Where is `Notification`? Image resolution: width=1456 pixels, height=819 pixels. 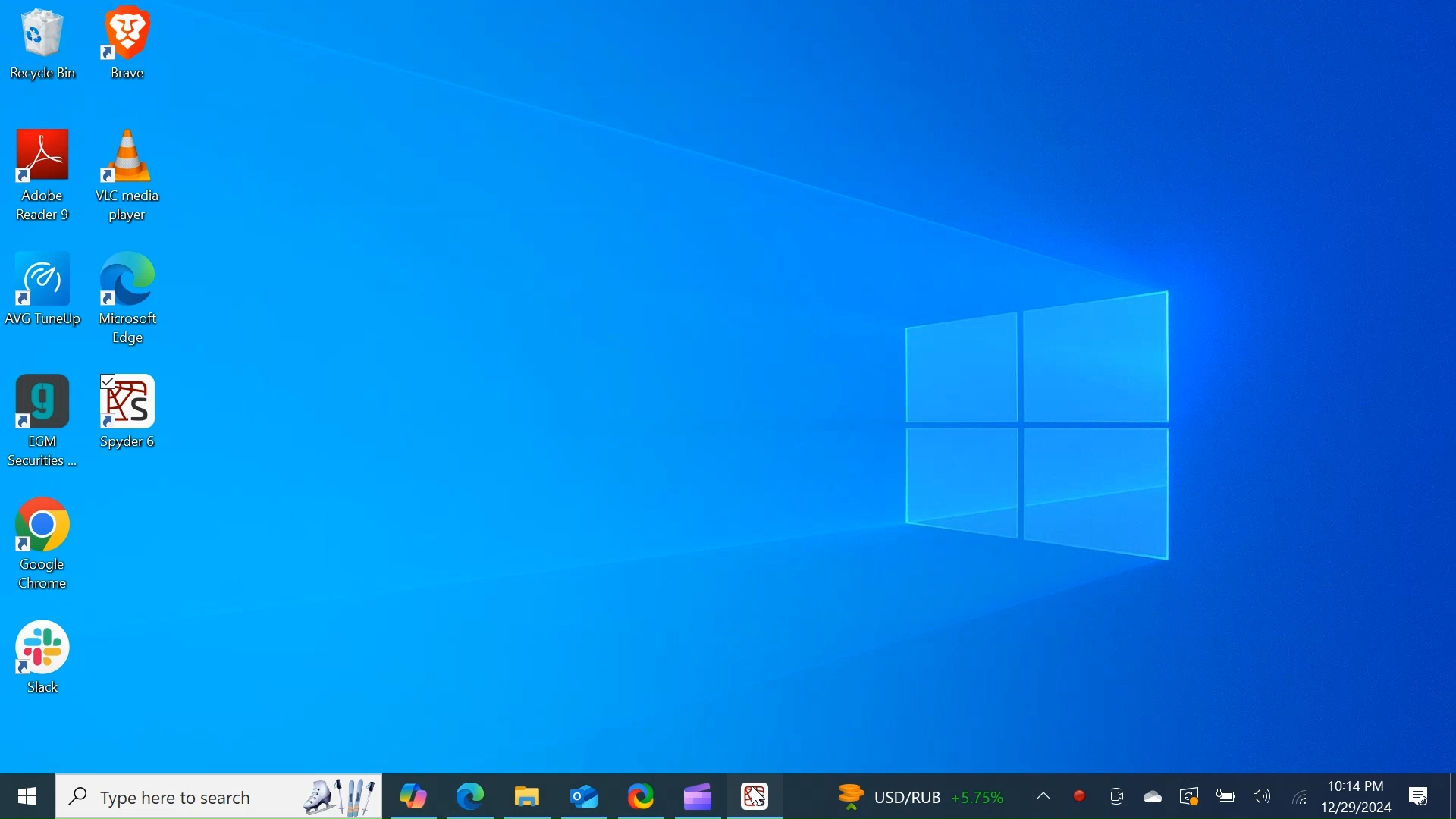
Notification is located at coordinates (1420, 796).